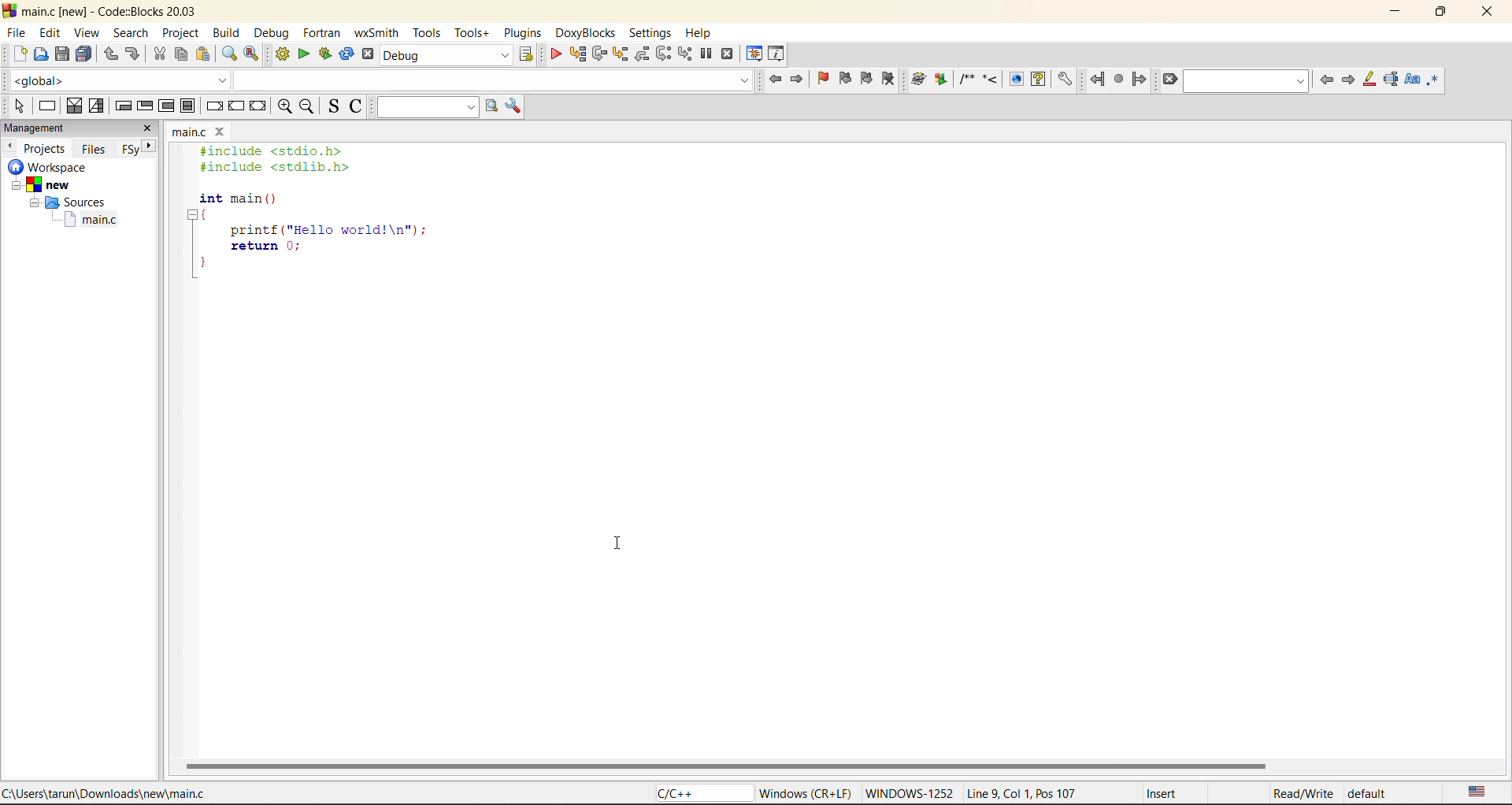  What do you see at coordinates (429, 107) in the screenshot?
I see `text to search` at bounding box center [429, 107].